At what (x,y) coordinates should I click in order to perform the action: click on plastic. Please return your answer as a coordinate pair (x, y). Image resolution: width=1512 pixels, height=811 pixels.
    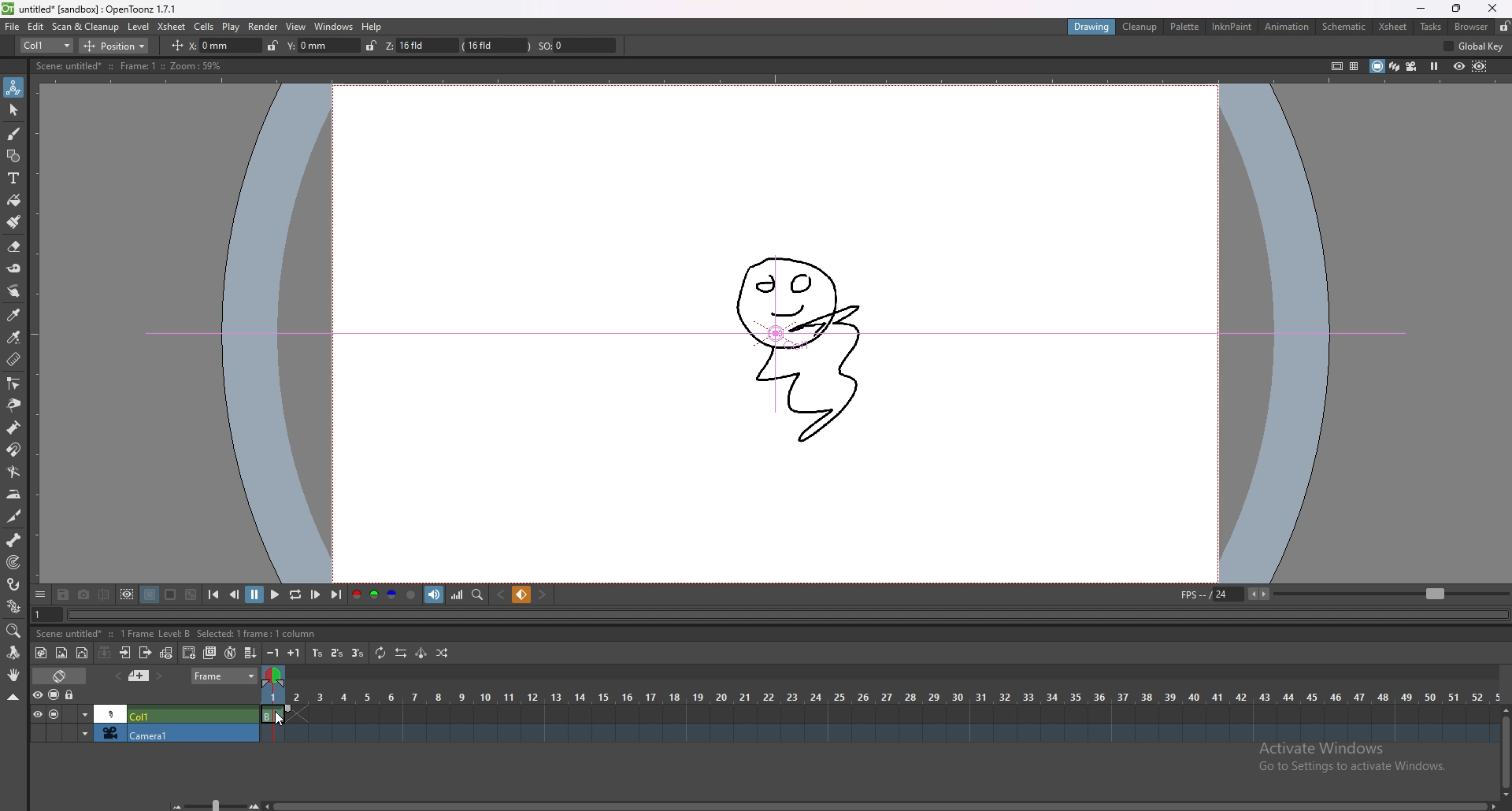
    Looking at the image, I should click on (14, 605).